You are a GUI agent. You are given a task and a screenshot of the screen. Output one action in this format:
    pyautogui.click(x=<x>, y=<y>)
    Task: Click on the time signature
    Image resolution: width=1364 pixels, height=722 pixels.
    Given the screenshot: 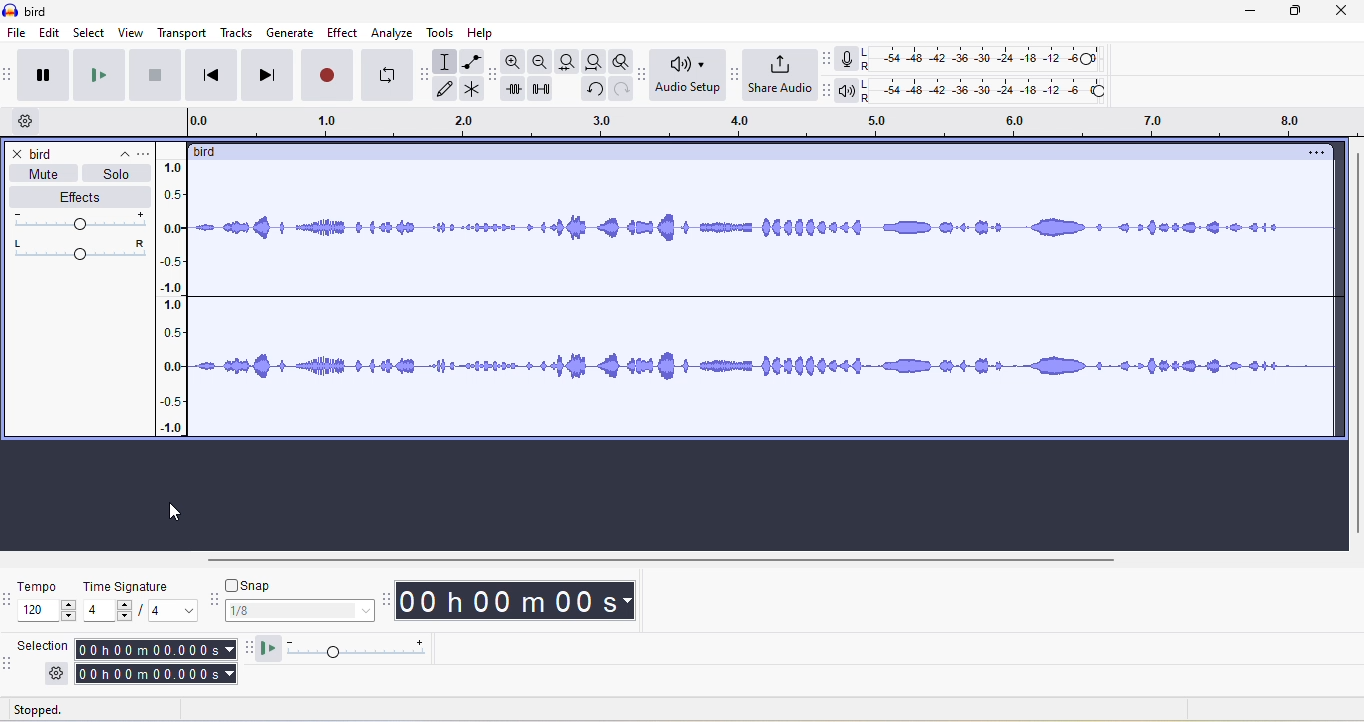 What is the action you would take?
    pyautogui.click(x=142, y=600)
    